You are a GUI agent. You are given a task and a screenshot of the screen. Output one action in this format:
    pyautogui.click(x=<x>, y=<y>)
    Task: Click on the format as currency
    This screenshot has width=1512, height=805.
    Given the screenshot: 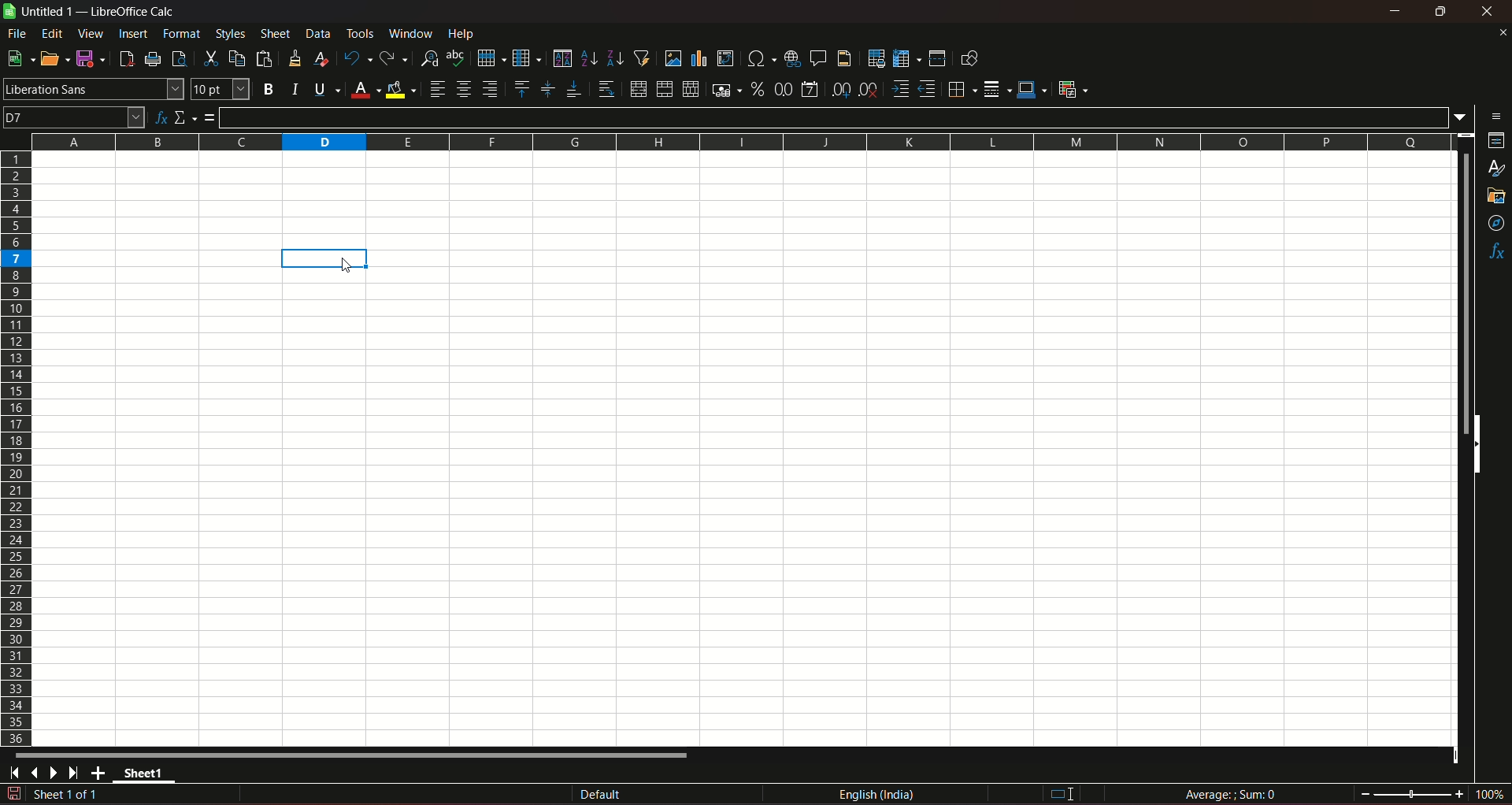 What is the action you would take?
    pyautogui.click(x=725, y=90)
    